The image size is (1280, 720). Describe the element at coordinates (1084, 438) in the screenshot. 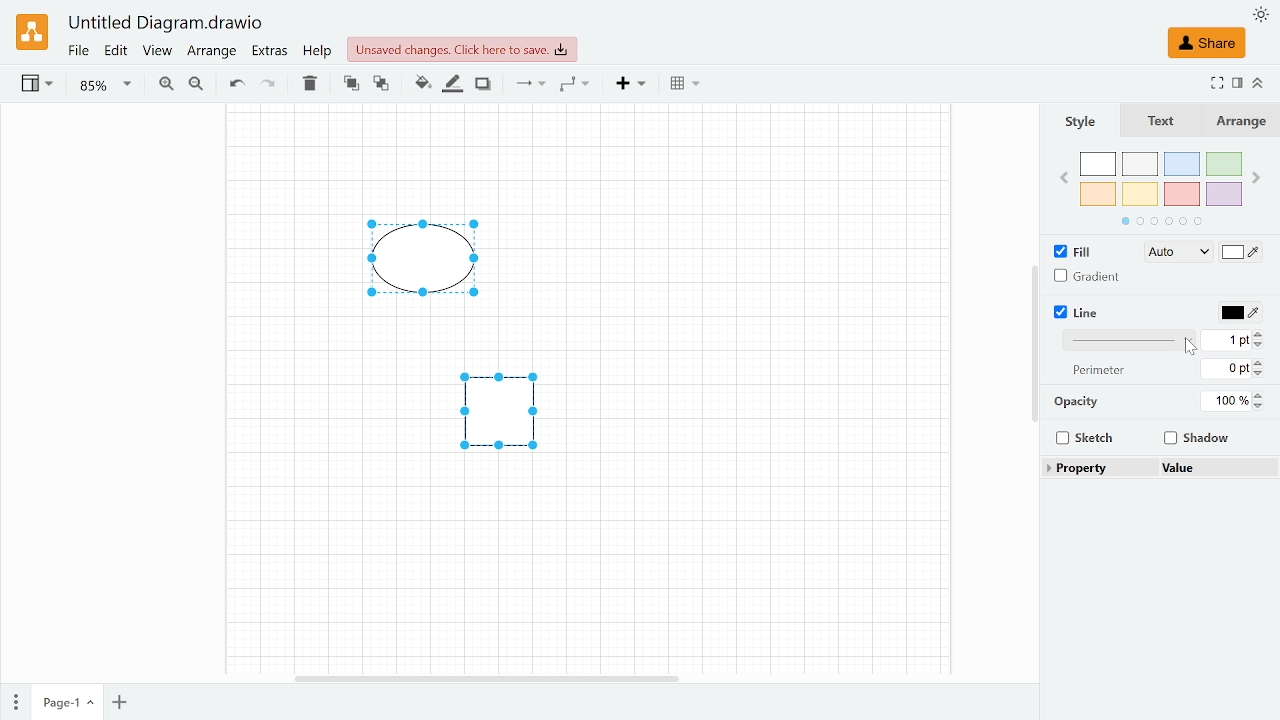

I see `Sketch` at that location.